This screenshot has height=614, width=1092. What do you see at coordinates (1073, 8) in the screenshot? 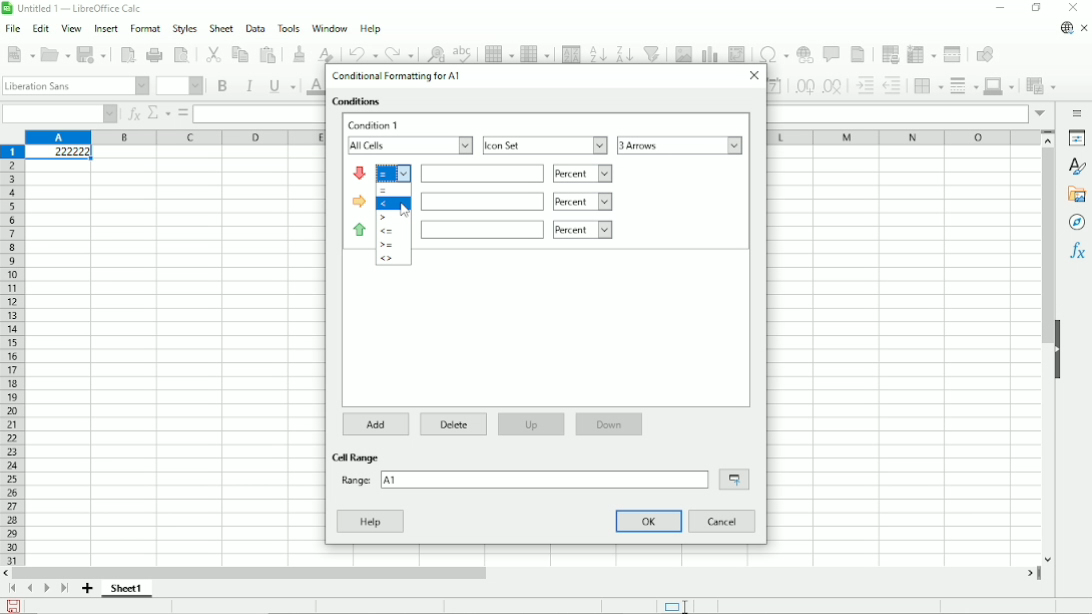
I see `` at bounding box center [1073, 8].